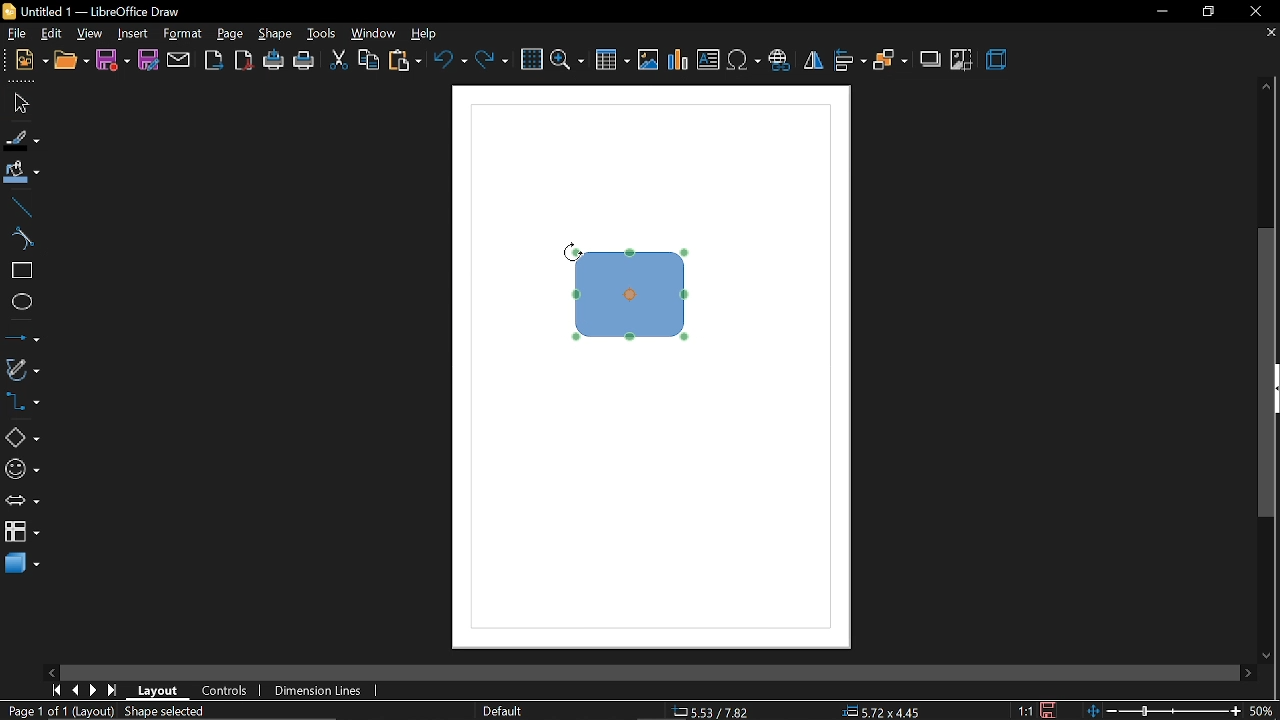  What do you see at coordinates (1049, 710) in the screenshot?
I see `save` at bounding box center [1049, 710].